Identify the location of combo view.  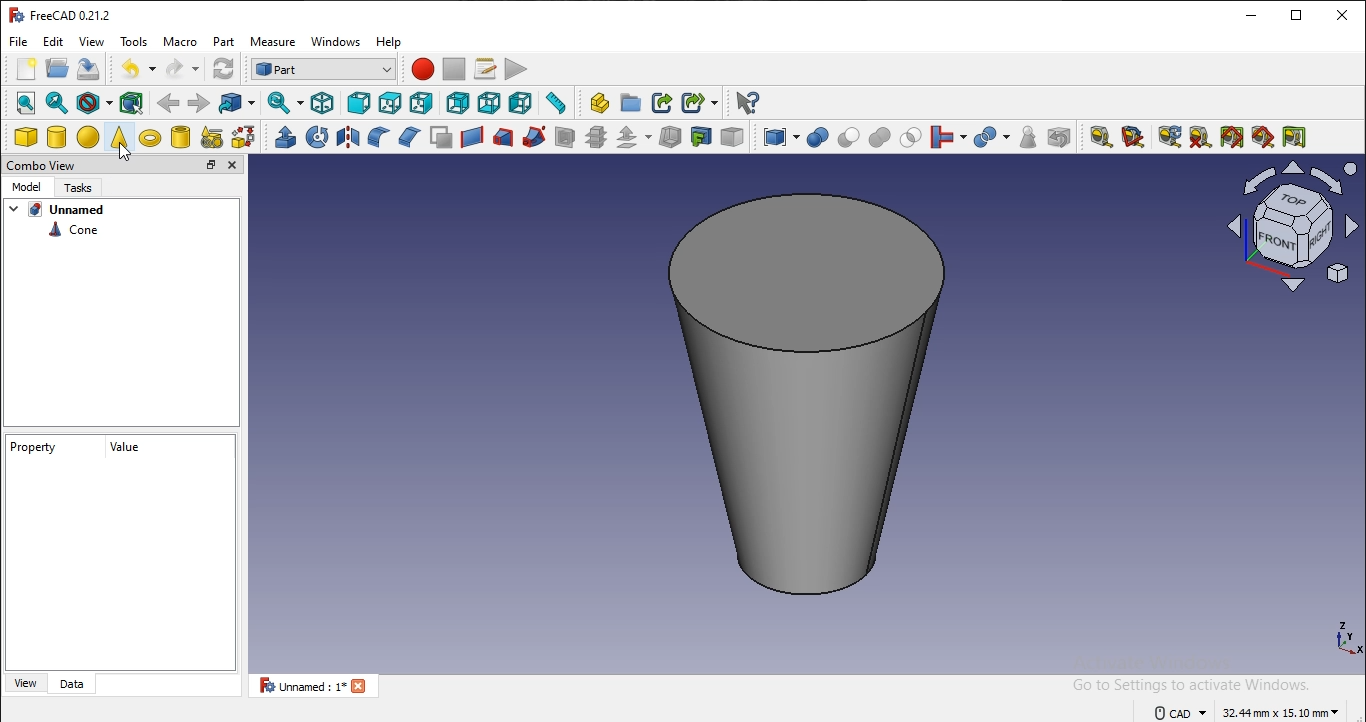
(43, 166).